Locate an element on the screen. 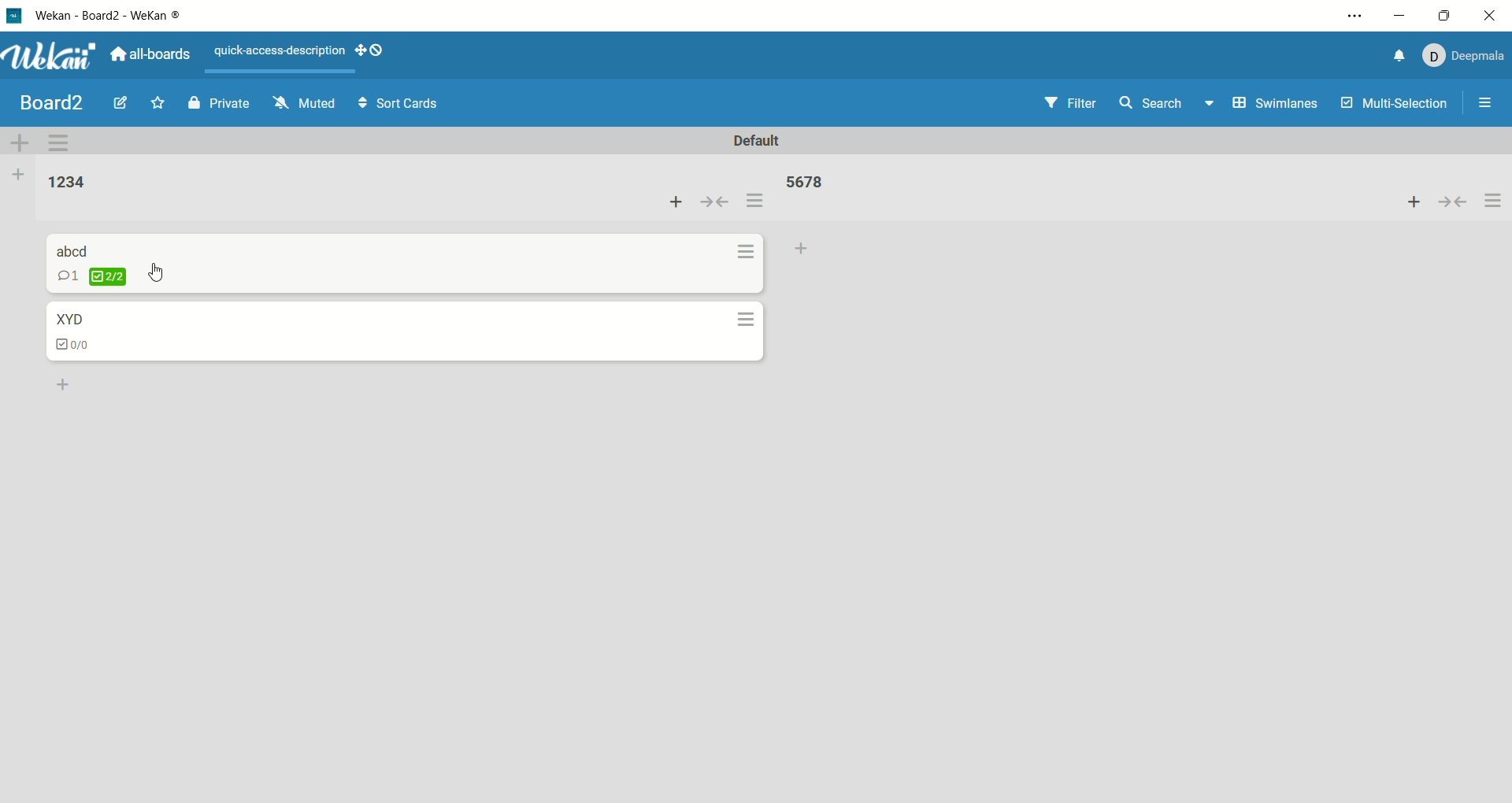  options is located at coordinates (754, 272).